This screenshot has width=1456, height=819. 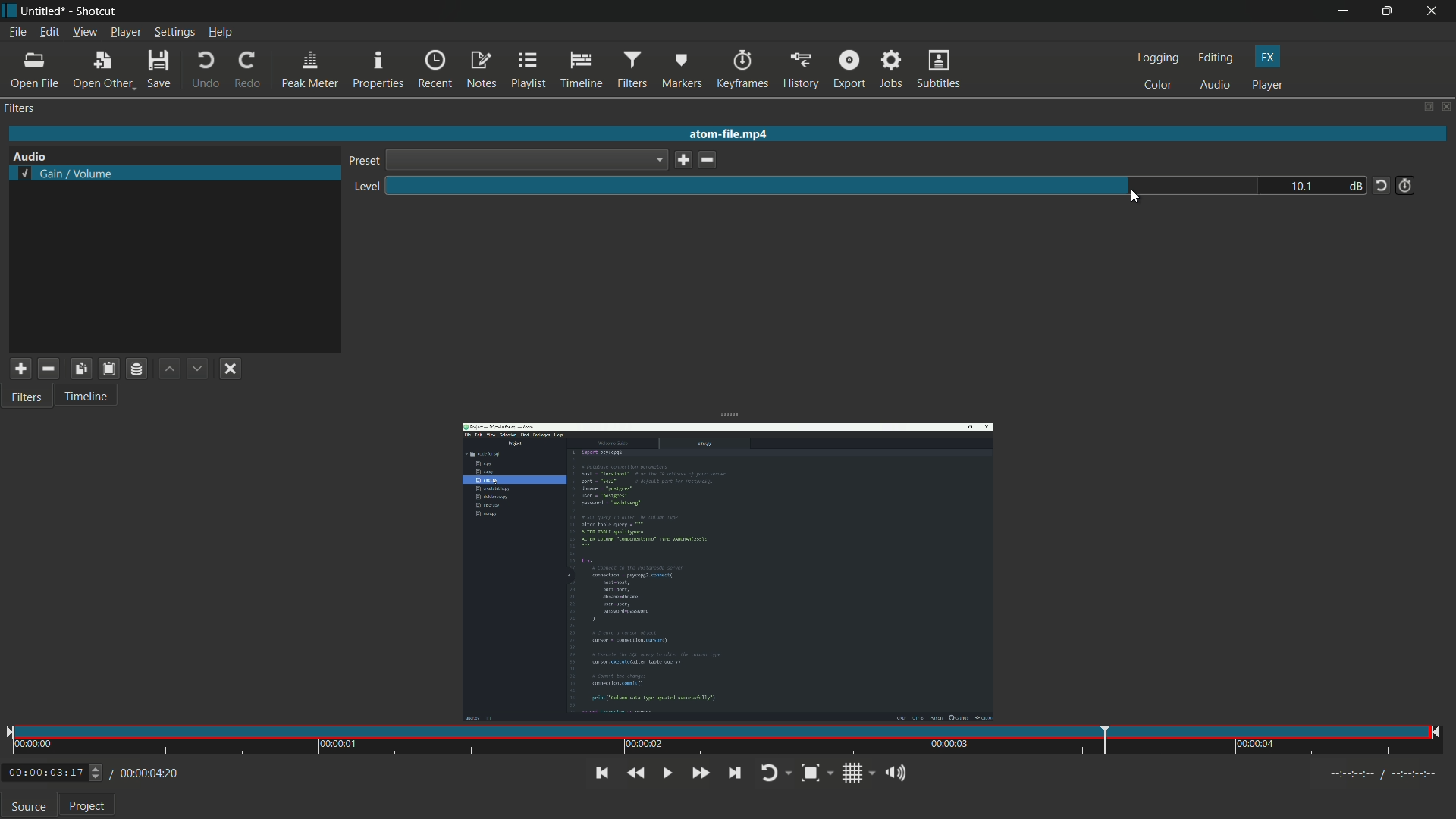 I want to click on Audio, so click(x=34, y=152).